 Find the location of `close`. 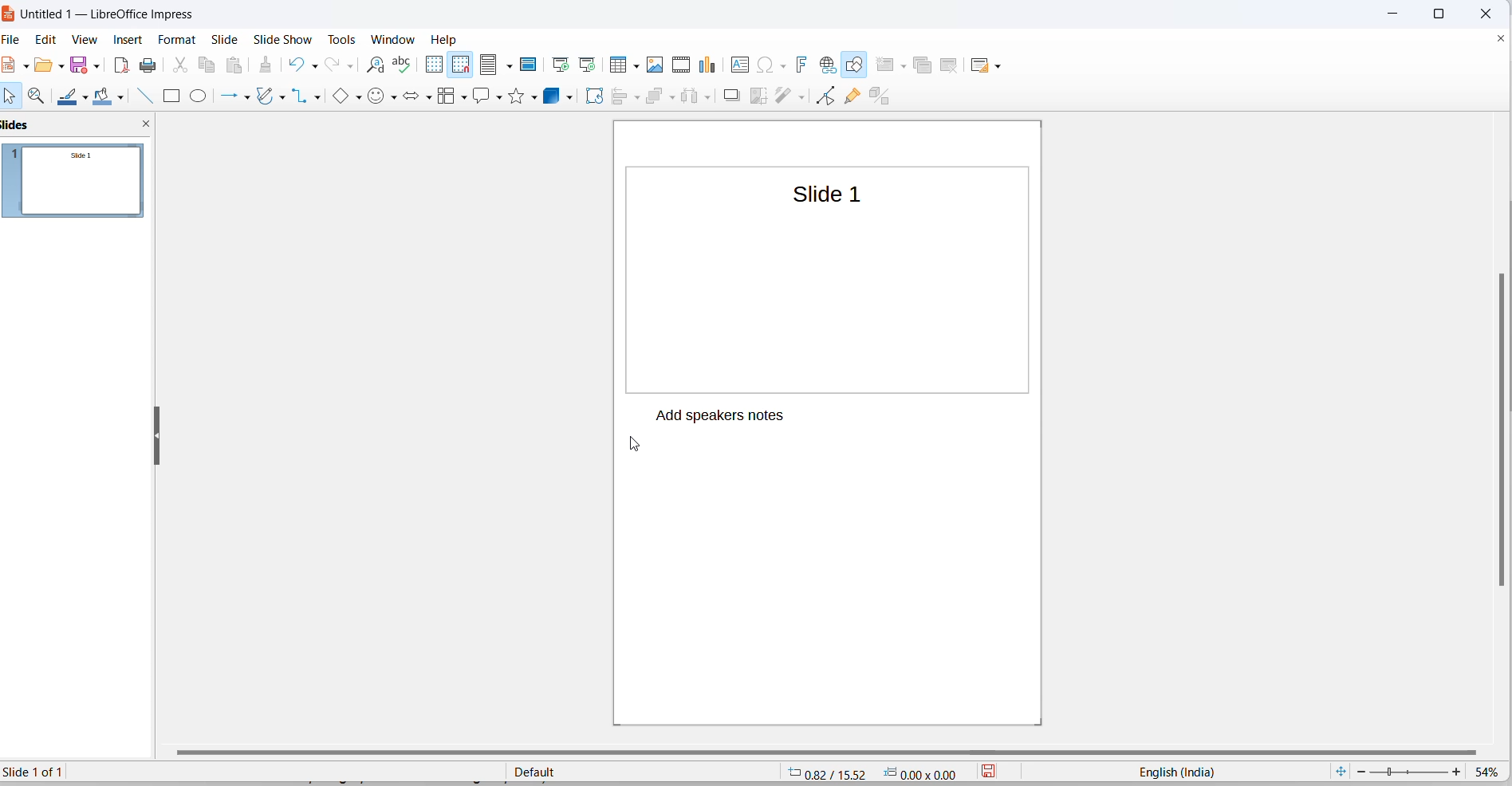

close is located at coordinates (1391, 14).